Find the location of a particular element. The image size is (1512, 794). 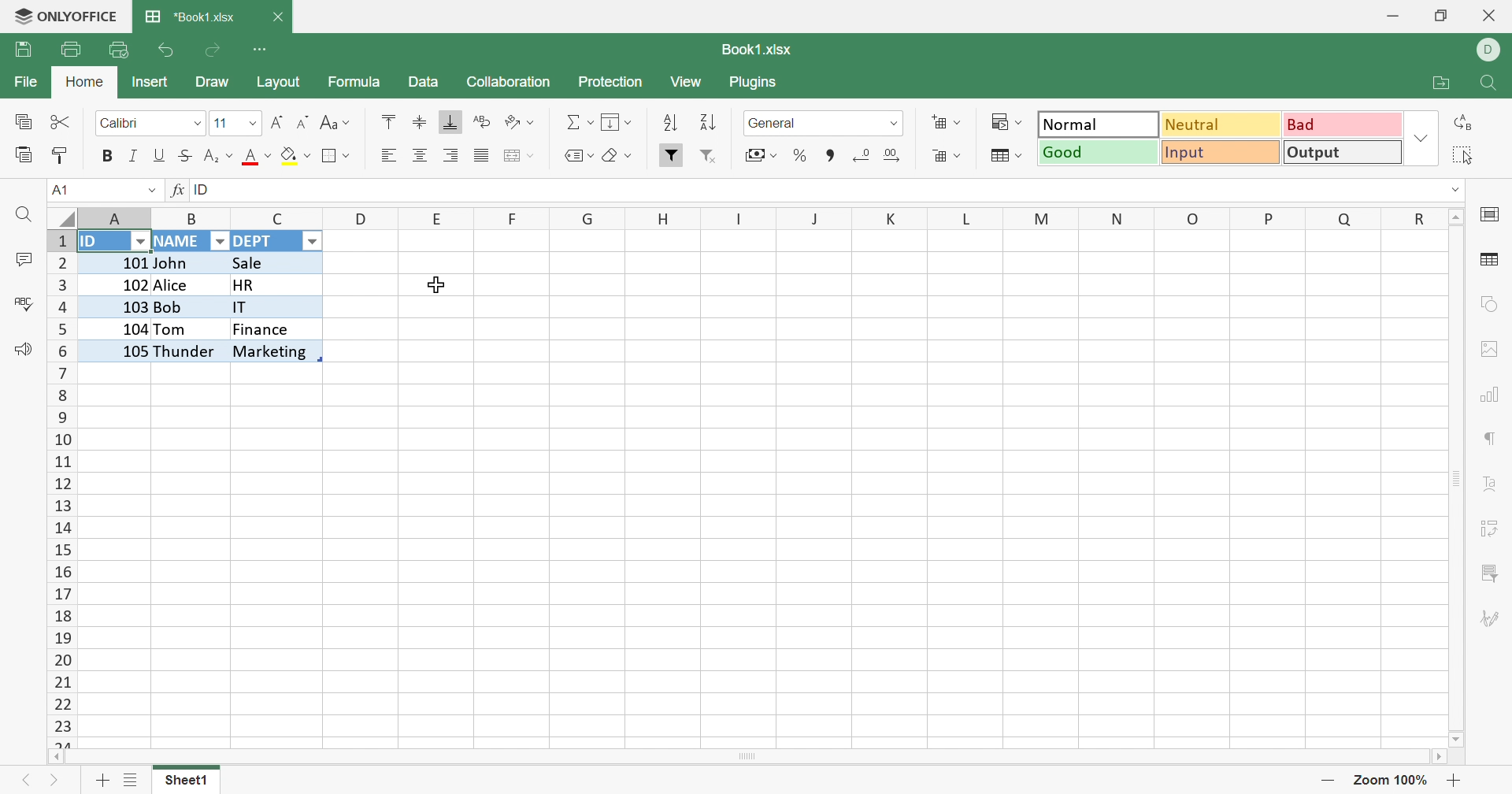

103 is located at coordinates (117, 306).